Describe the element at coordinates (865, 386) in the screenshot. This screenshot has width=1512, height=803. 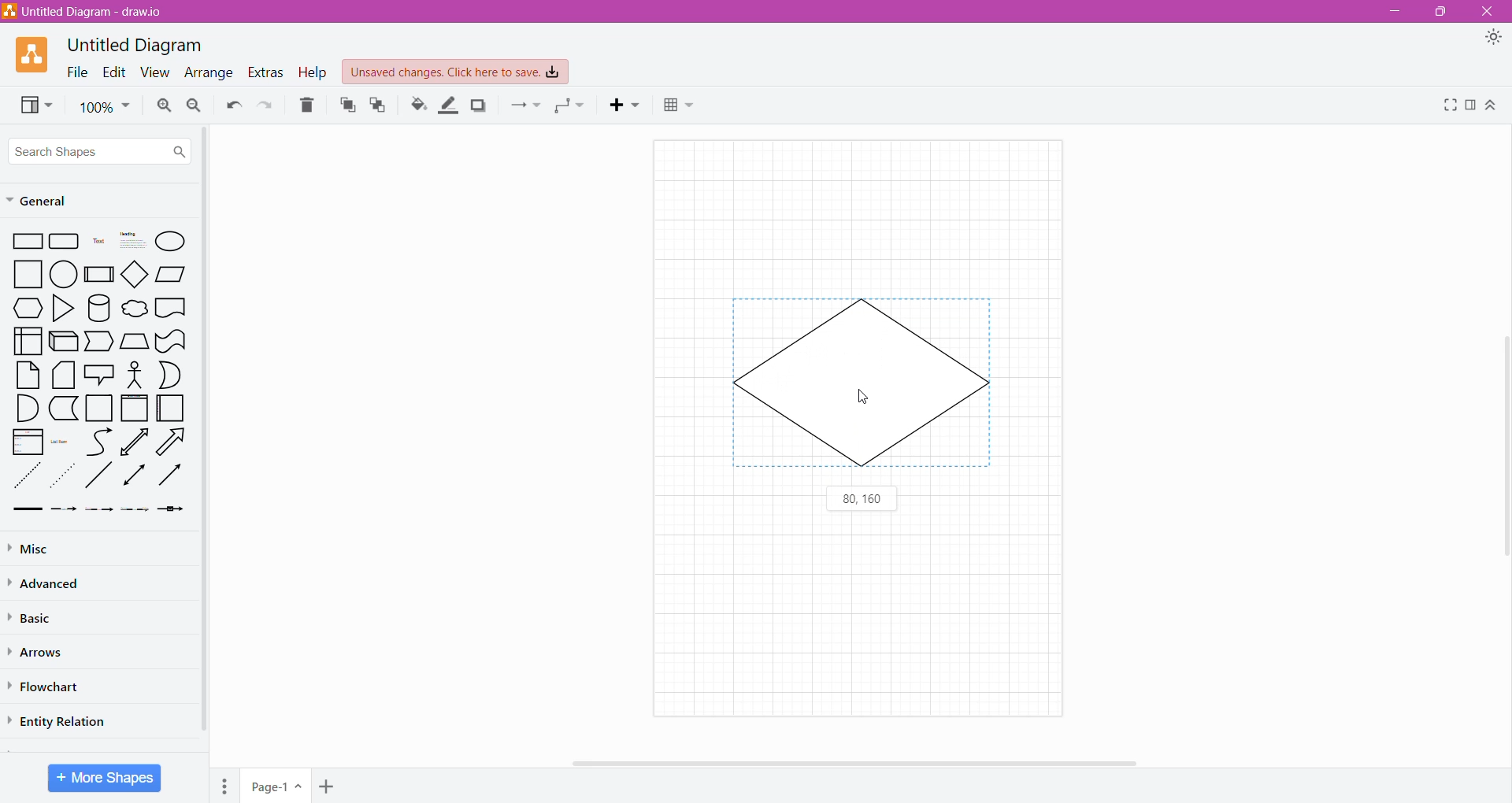
I see `Drag the unlocked shape on Canvas ` at that location.